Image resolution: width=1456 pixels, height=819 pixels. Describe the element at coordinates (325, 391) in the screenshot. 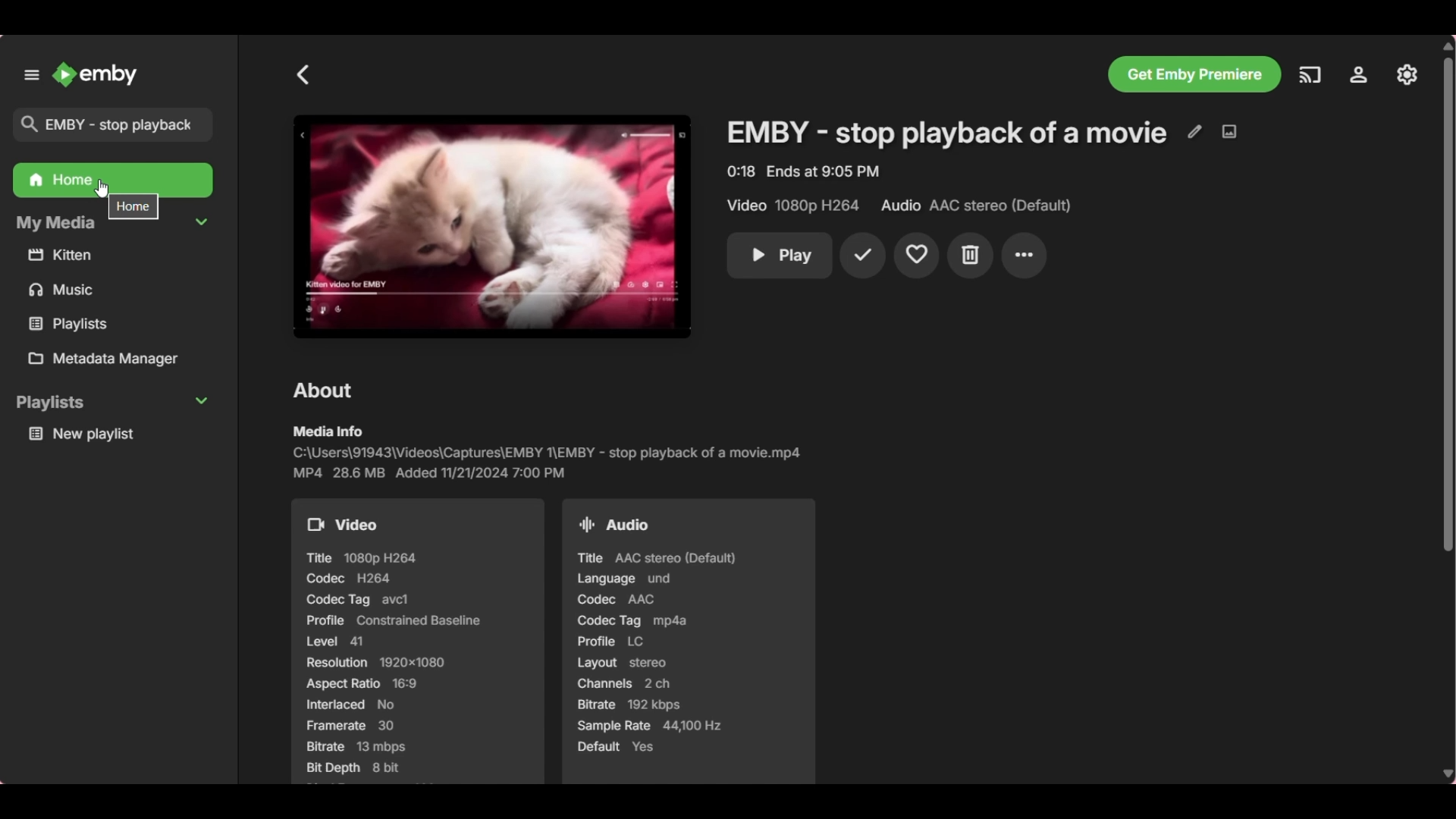

I see `About` at that location.